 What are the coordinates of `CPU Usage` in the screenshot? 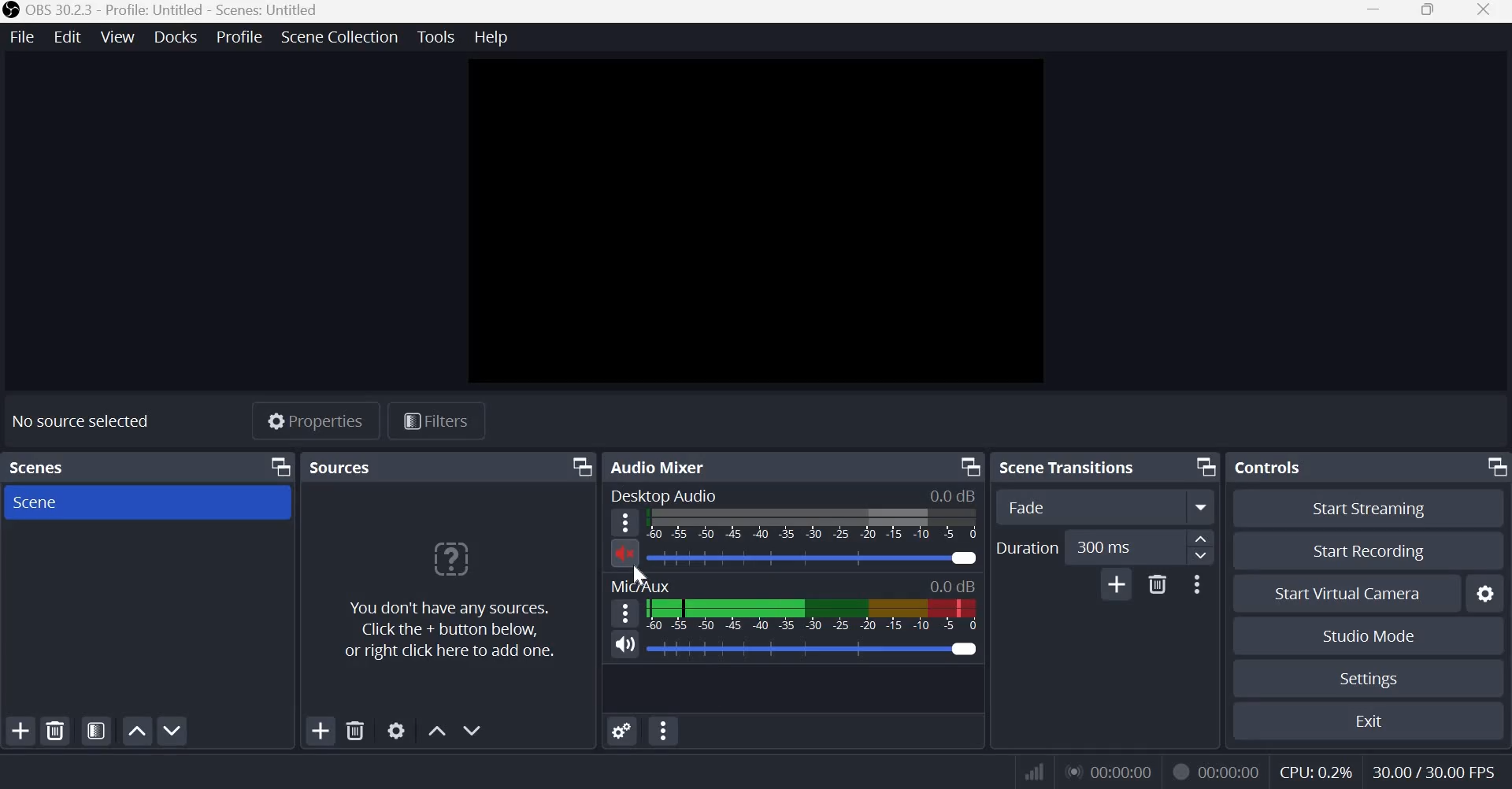 It's located at (1315, 769).